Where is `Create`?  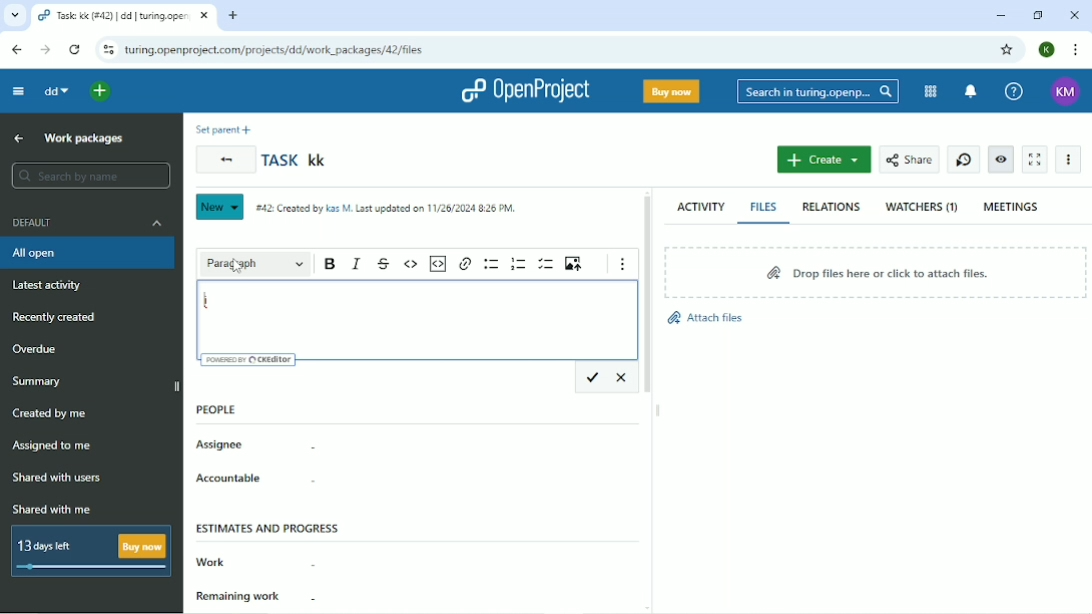 Create is located at coordinates (825, 160).